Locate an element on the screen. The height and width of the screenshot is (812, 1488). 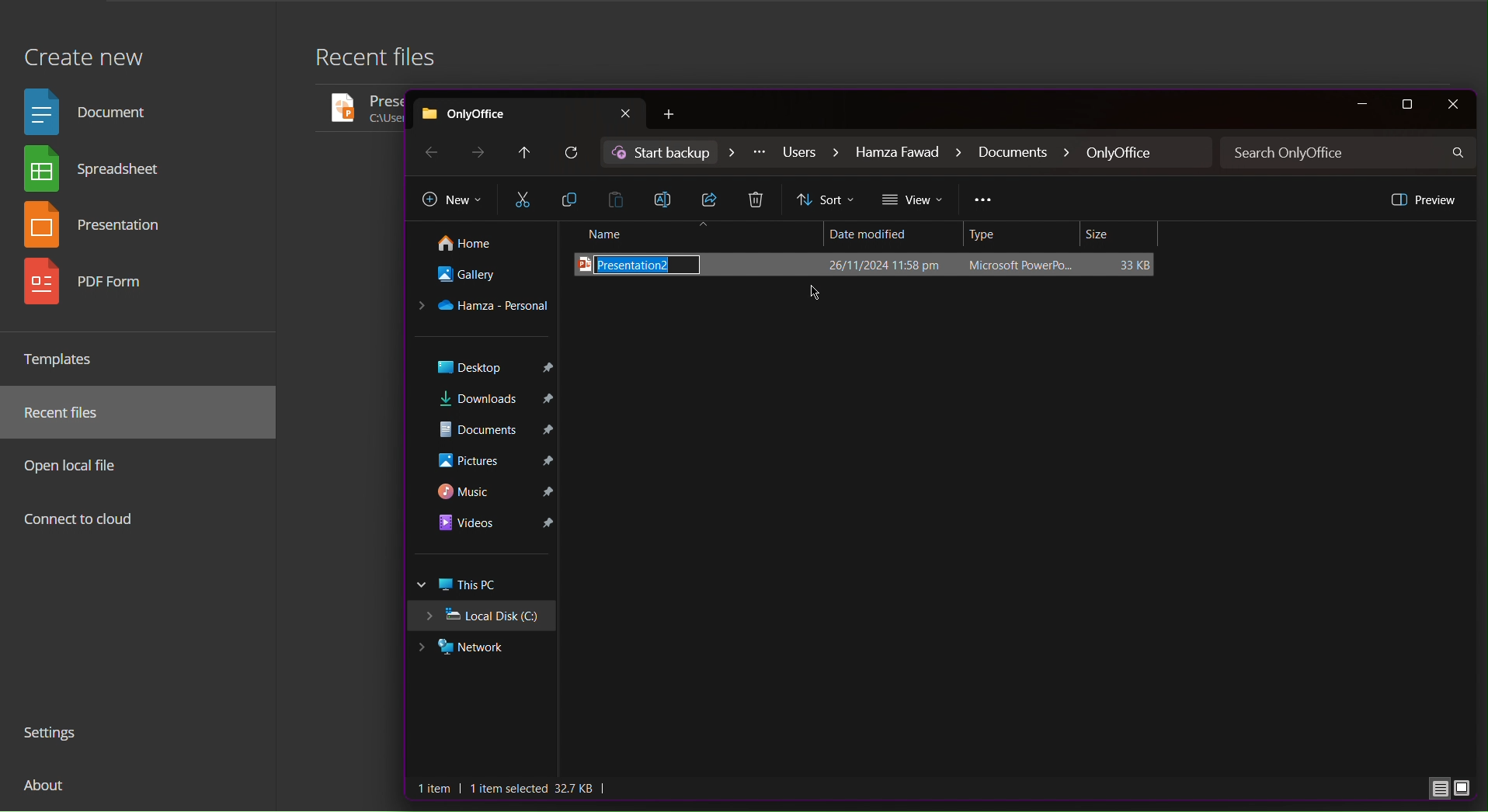
Title Selected is located at coordinates (869, 265).